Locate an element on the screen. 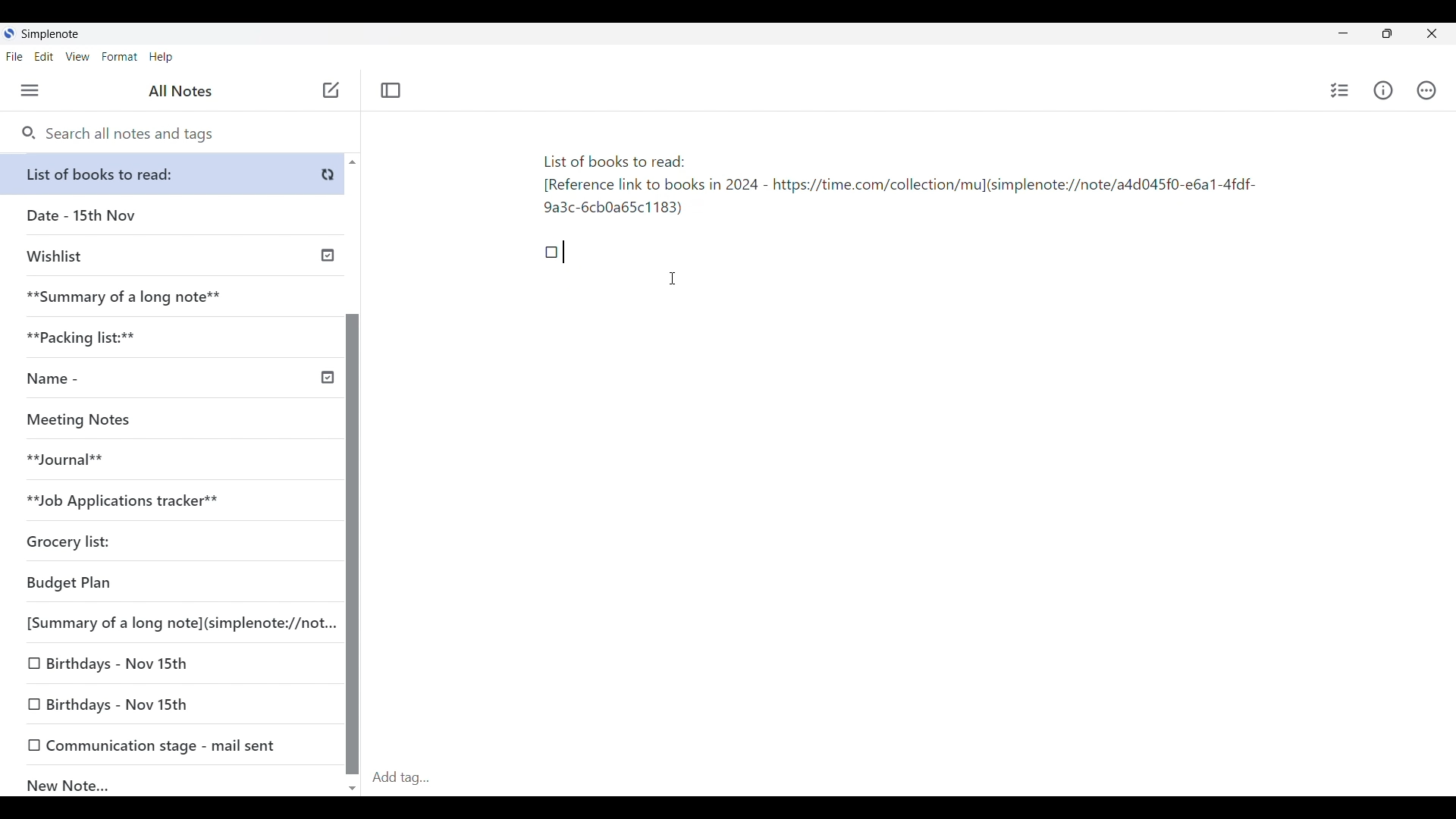 Image resolution: width=1456 pixels, height=819 pixels. Help  is located at coordinates (162, 58).